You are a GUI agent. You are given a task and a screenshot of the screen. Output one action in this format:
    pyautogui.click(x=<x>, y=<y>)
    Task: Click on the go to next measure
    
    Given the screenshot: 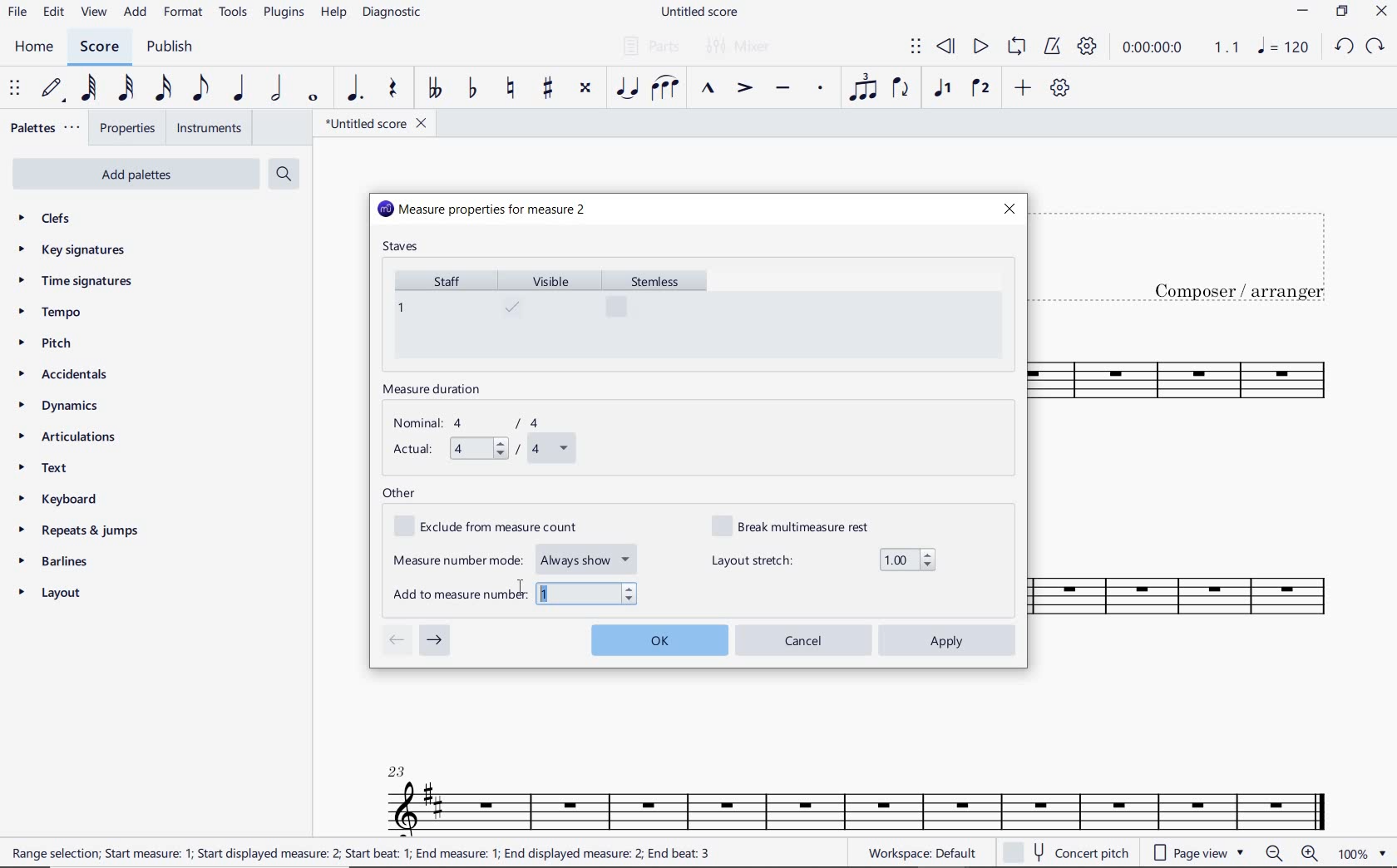 What is the action you would take?
    pyautogui.click(x=435, y=641)
    